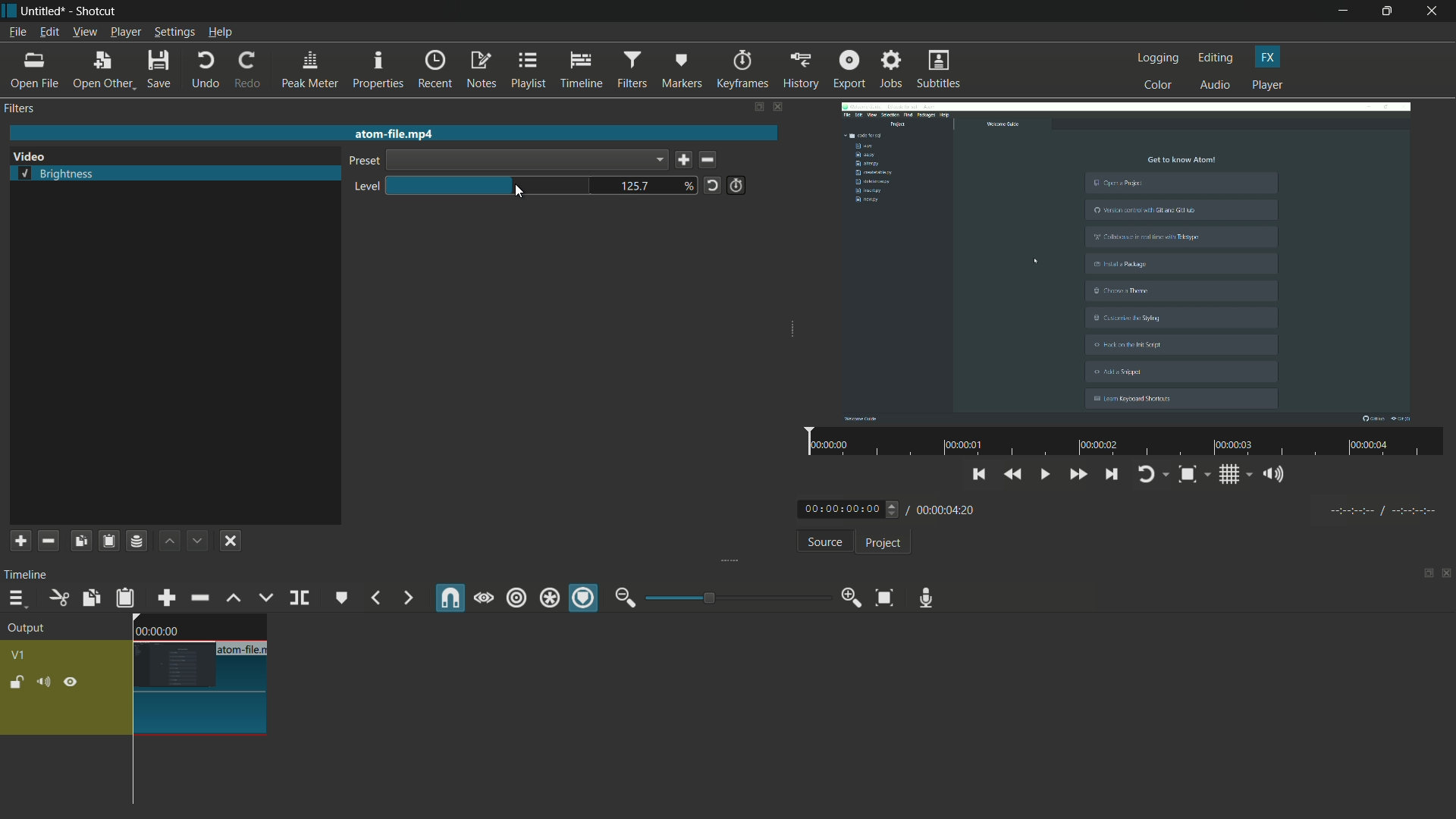 This screenshot has width=1456, height=819. Describe the element at coordinates (1434, 11) in the screenshot. I see `close app` at that location.